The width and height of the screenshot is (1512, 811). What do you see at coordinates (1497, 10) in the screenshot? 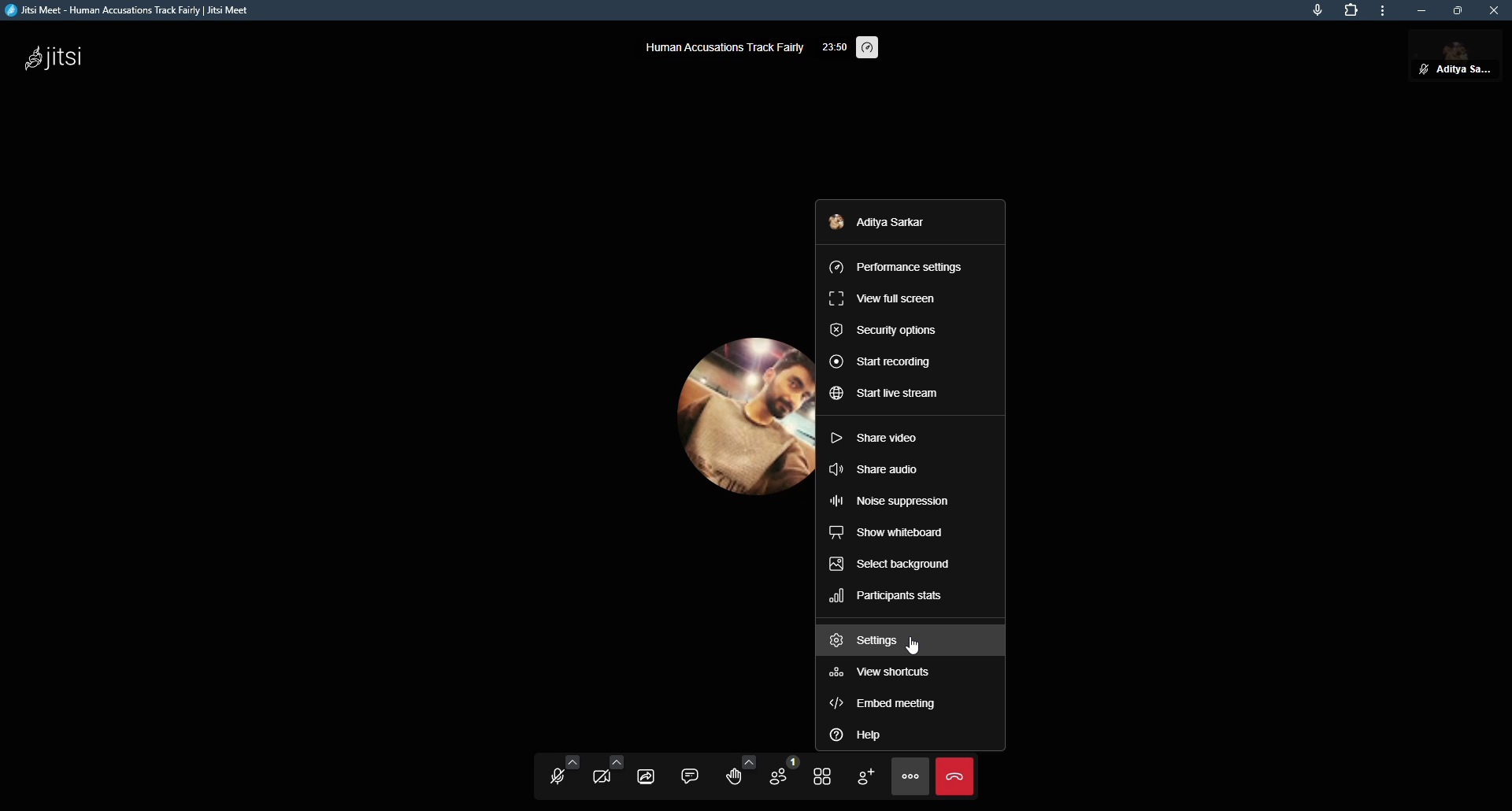
I see `close` at bounding box center [1497, 10].